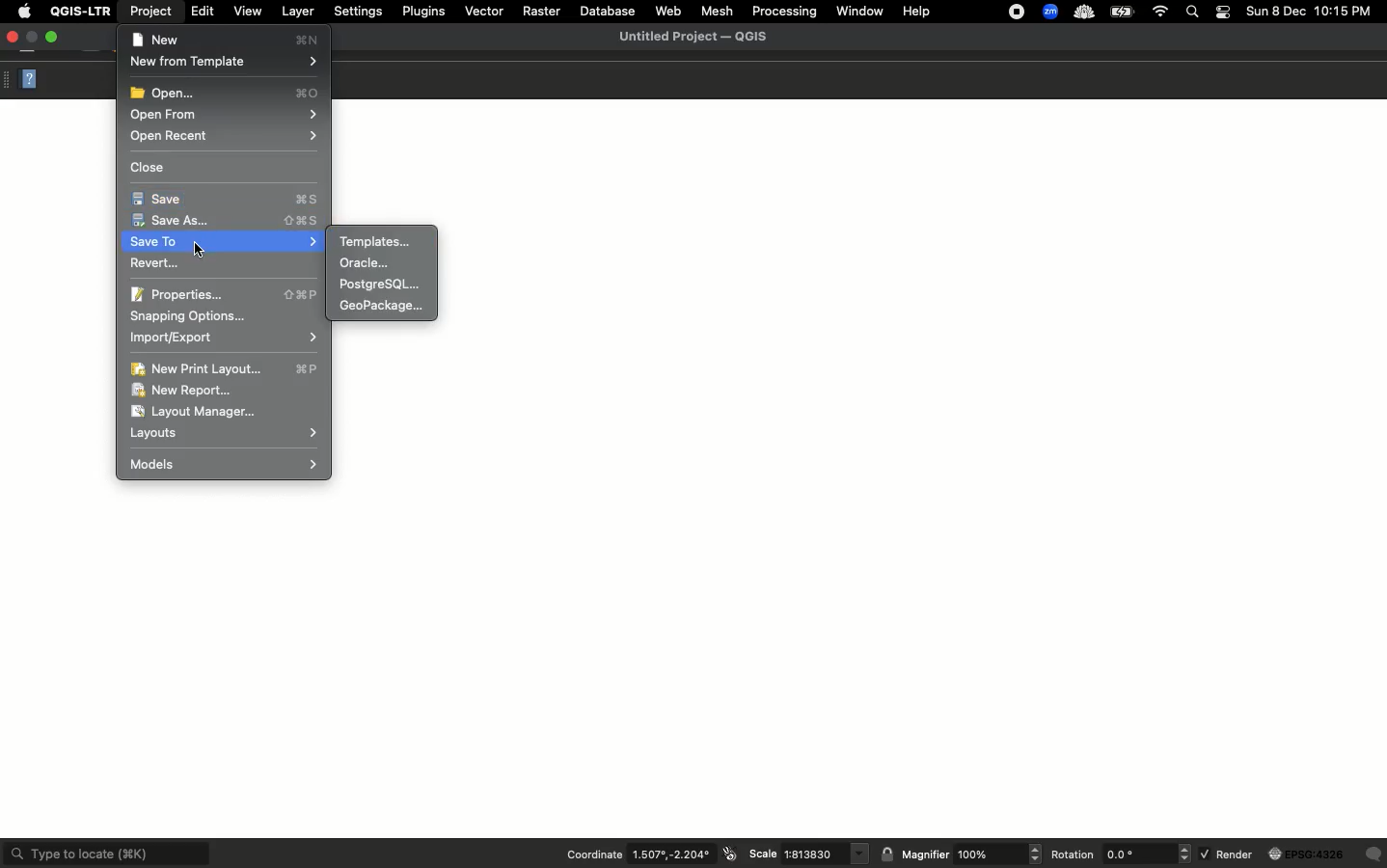 The image size is (1387, 868). What do you see at coordinates (591, 855) in the screenshot?
I see `Coordination` at bounding box center [591, 855].